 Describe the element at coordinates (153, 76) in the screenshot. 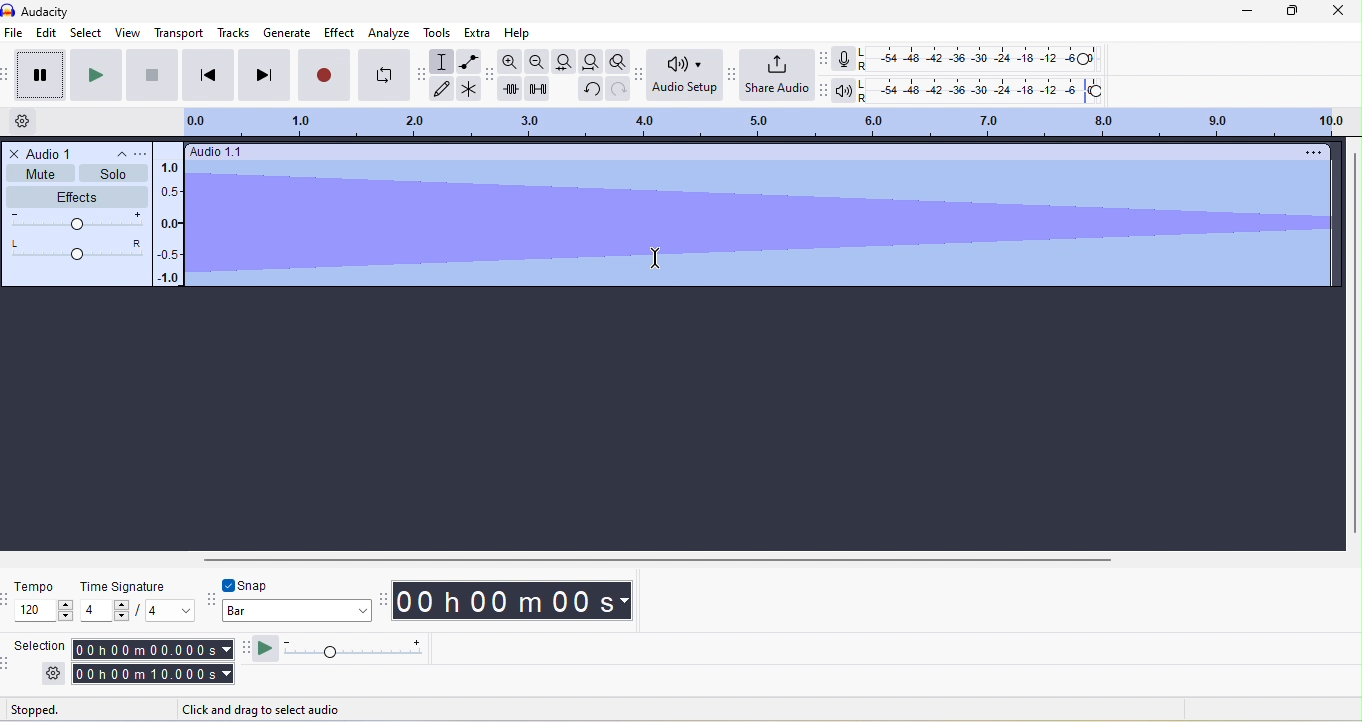

I see `stop` at that location.